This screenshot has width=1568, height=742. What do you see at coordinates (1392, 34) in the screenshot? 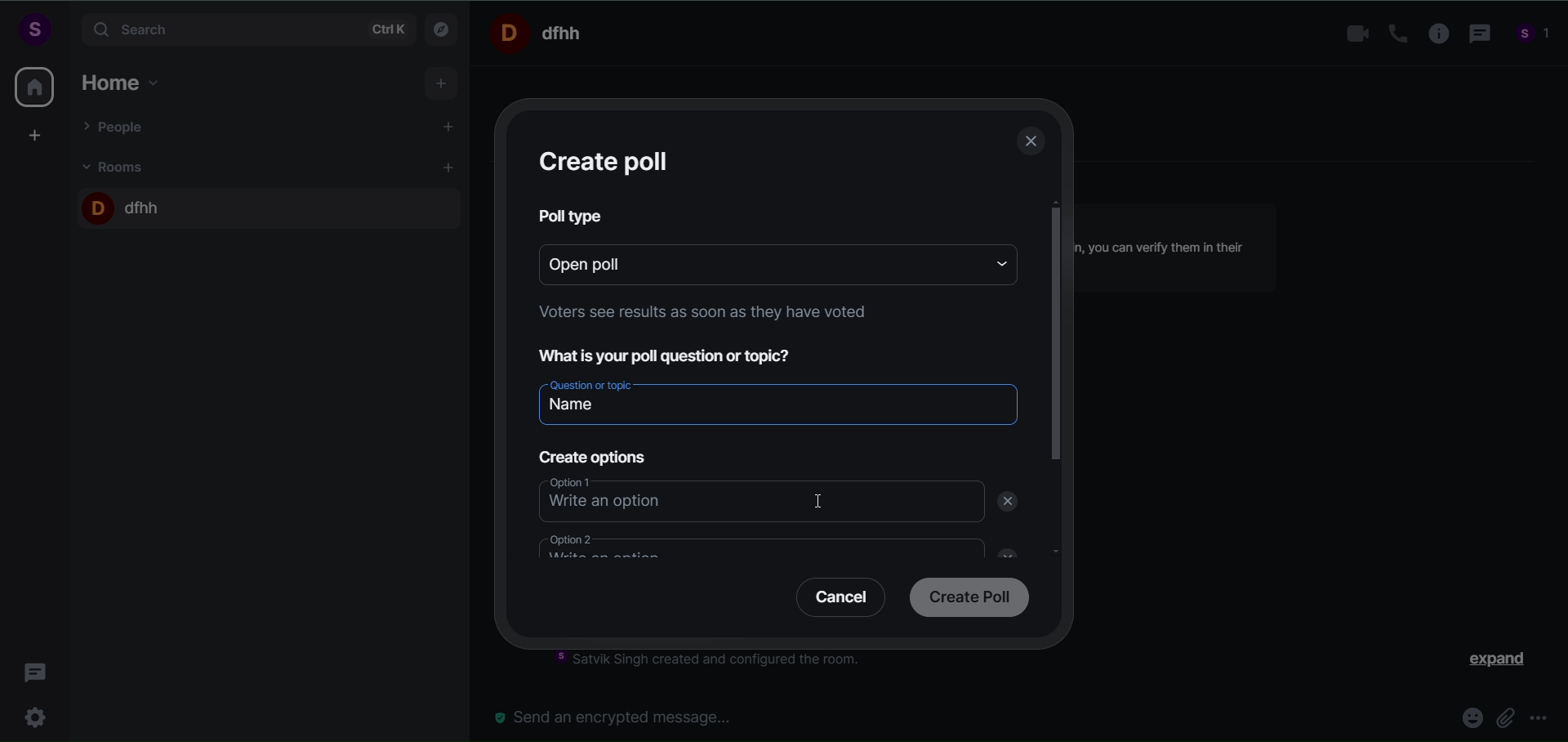
I see `call` at bounding box center [1392, 34].